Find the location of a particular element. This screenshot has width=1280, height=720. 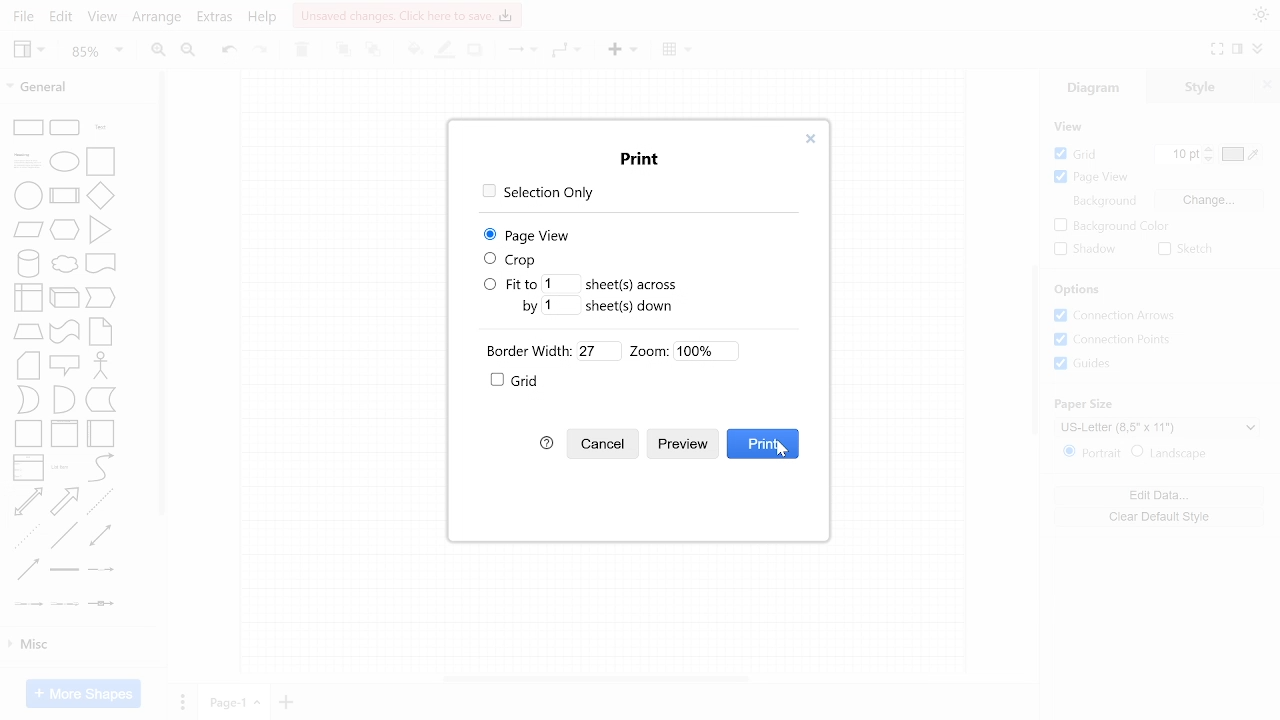

Actor is located at coordinates (101, 365).